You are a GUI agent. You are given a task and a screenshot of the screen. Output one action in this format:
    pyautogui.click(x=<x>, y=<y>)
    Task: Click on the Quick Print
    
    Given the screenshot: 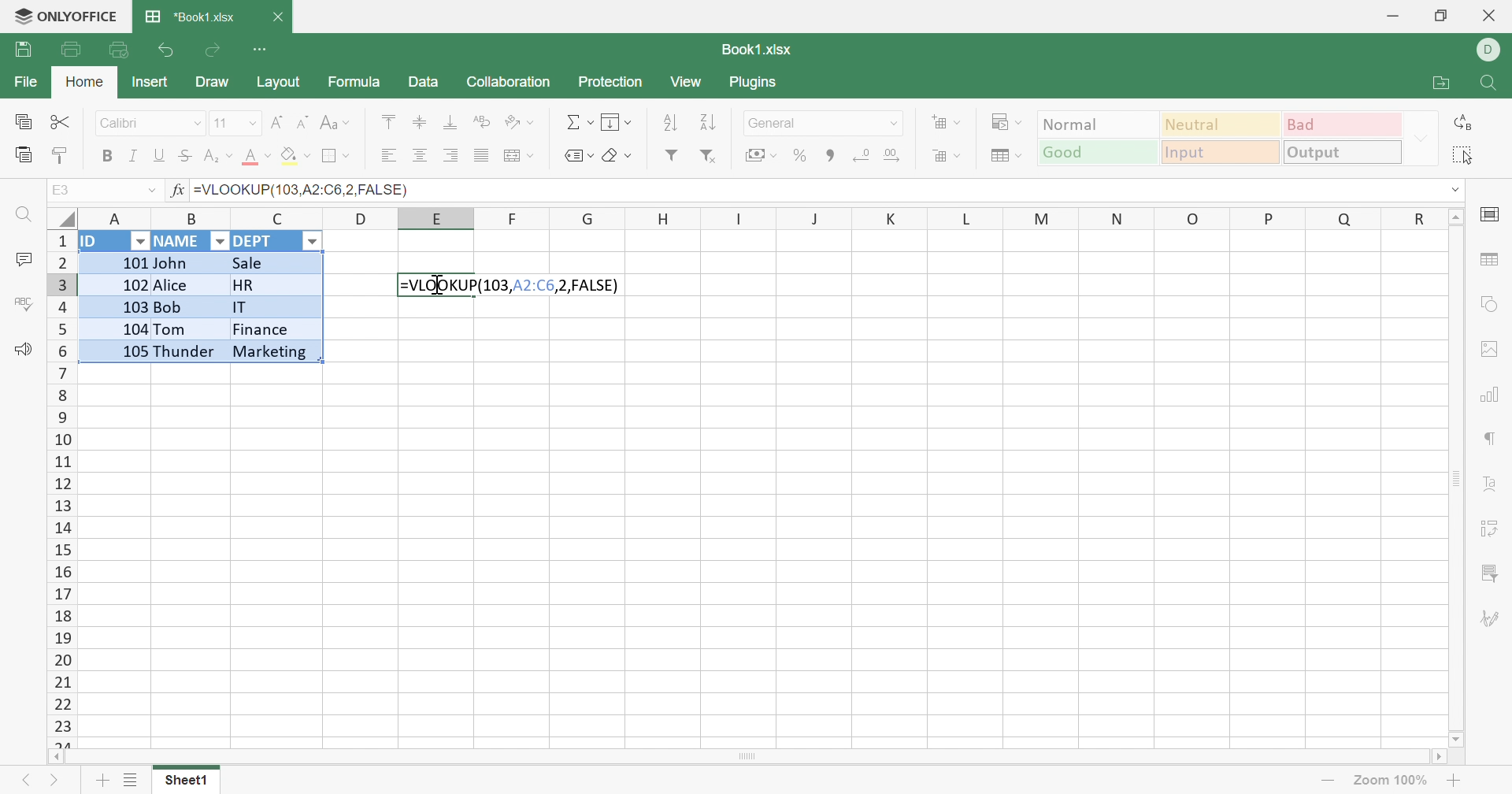 What is the action you would take?
    pyautogui.click(x=117, y=50)
    